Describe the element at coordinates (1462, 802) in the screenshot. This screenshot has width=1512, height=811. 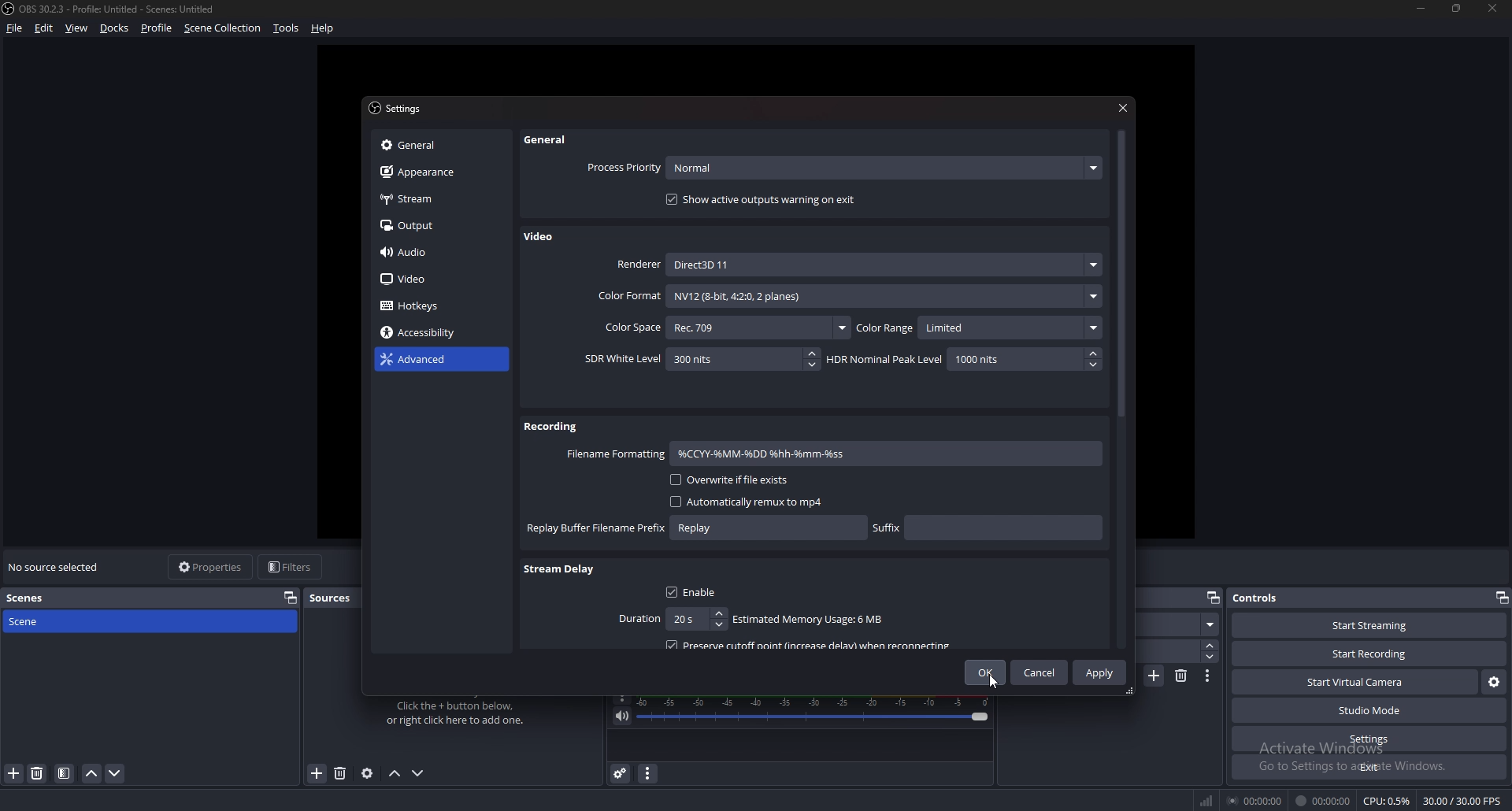
I see `30.00/30.00 FPS` at that location.